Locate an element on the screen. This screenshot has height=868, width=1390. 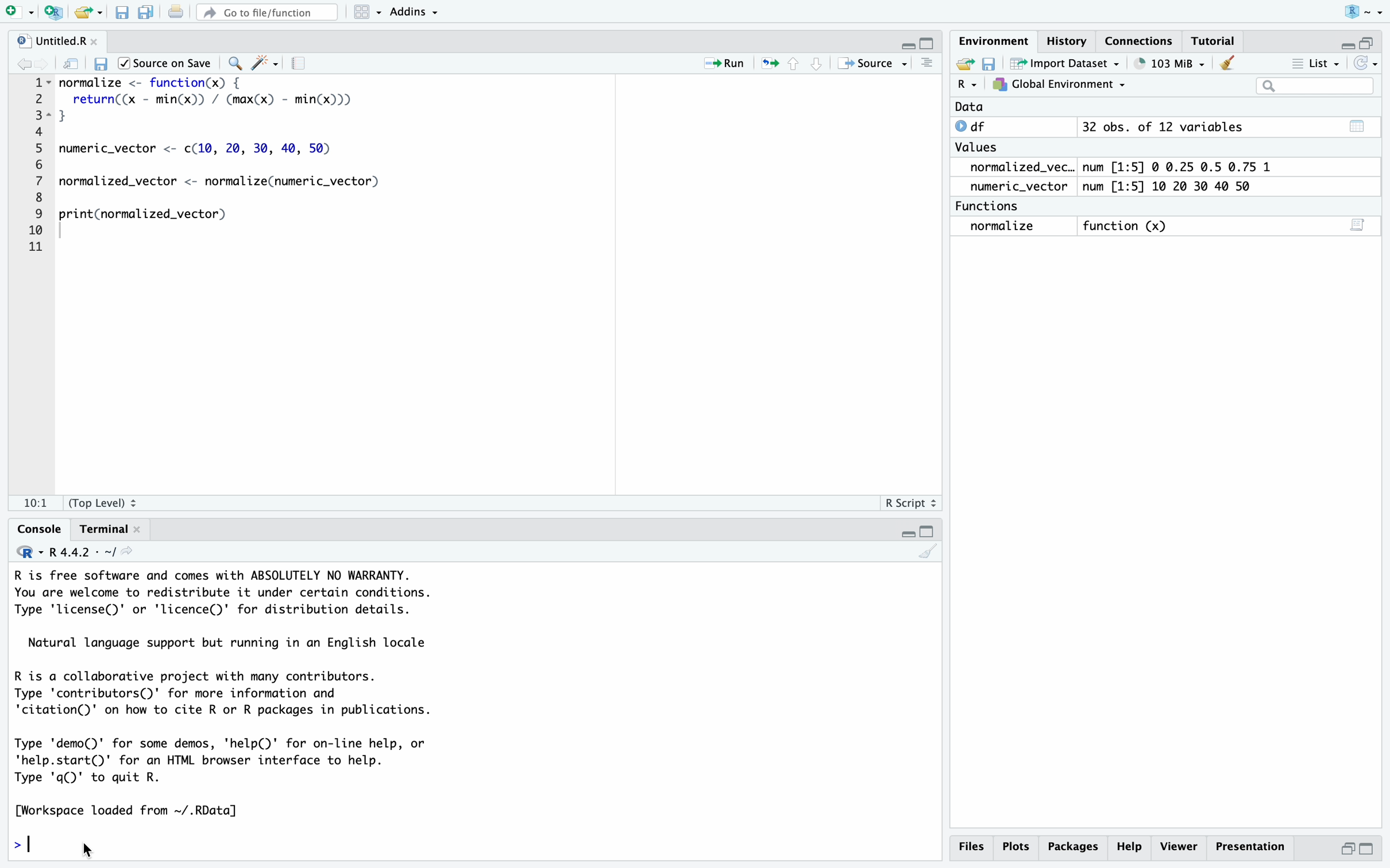
Connections is located at coordinates (1138, 39).